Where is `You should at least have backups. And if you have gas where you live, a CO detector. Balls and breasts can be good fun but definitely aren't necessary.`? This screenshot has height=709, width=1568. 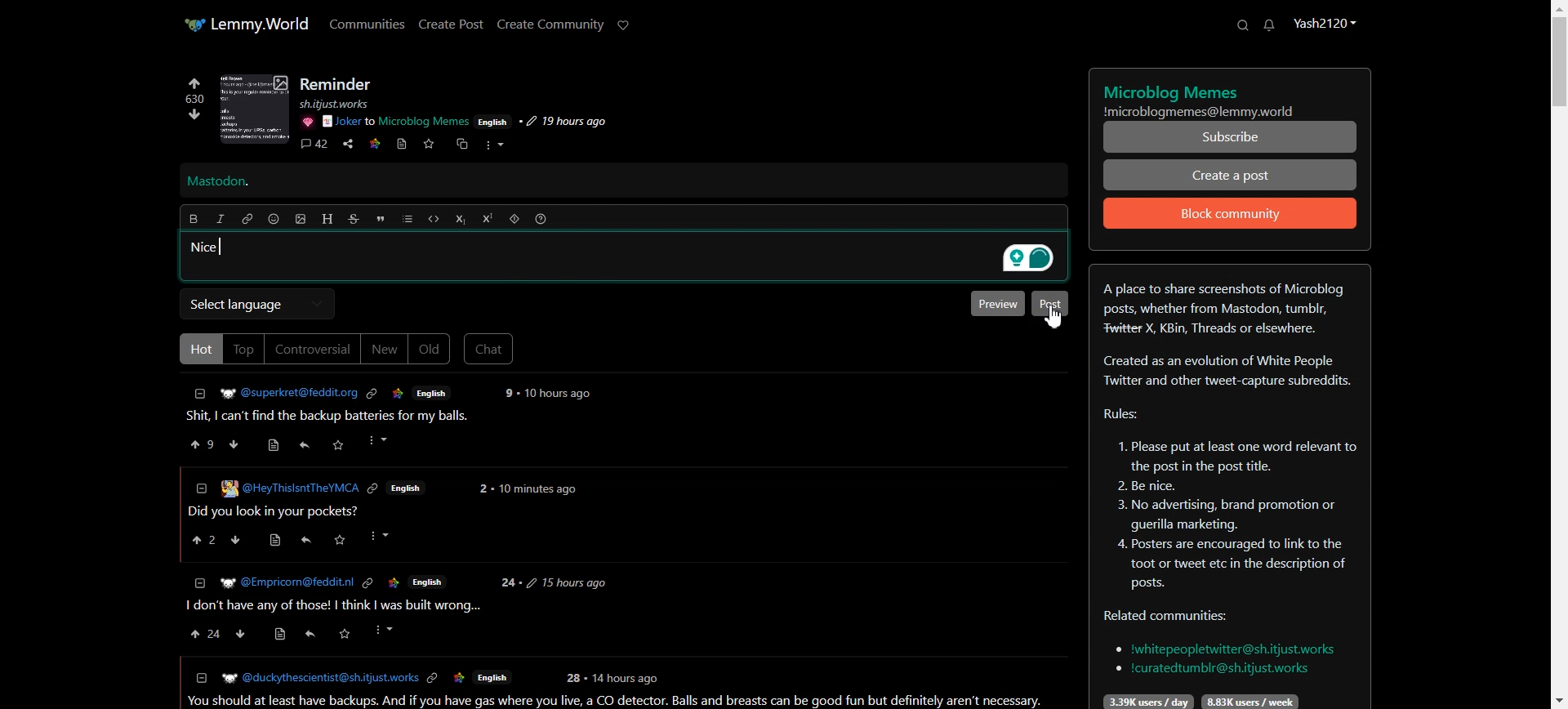
You should at least have backups. And if you have gas where you live, a CO detector. Balls and breasts can be good fun but definitely aren't necessary. is located at coordinates (619, 701).